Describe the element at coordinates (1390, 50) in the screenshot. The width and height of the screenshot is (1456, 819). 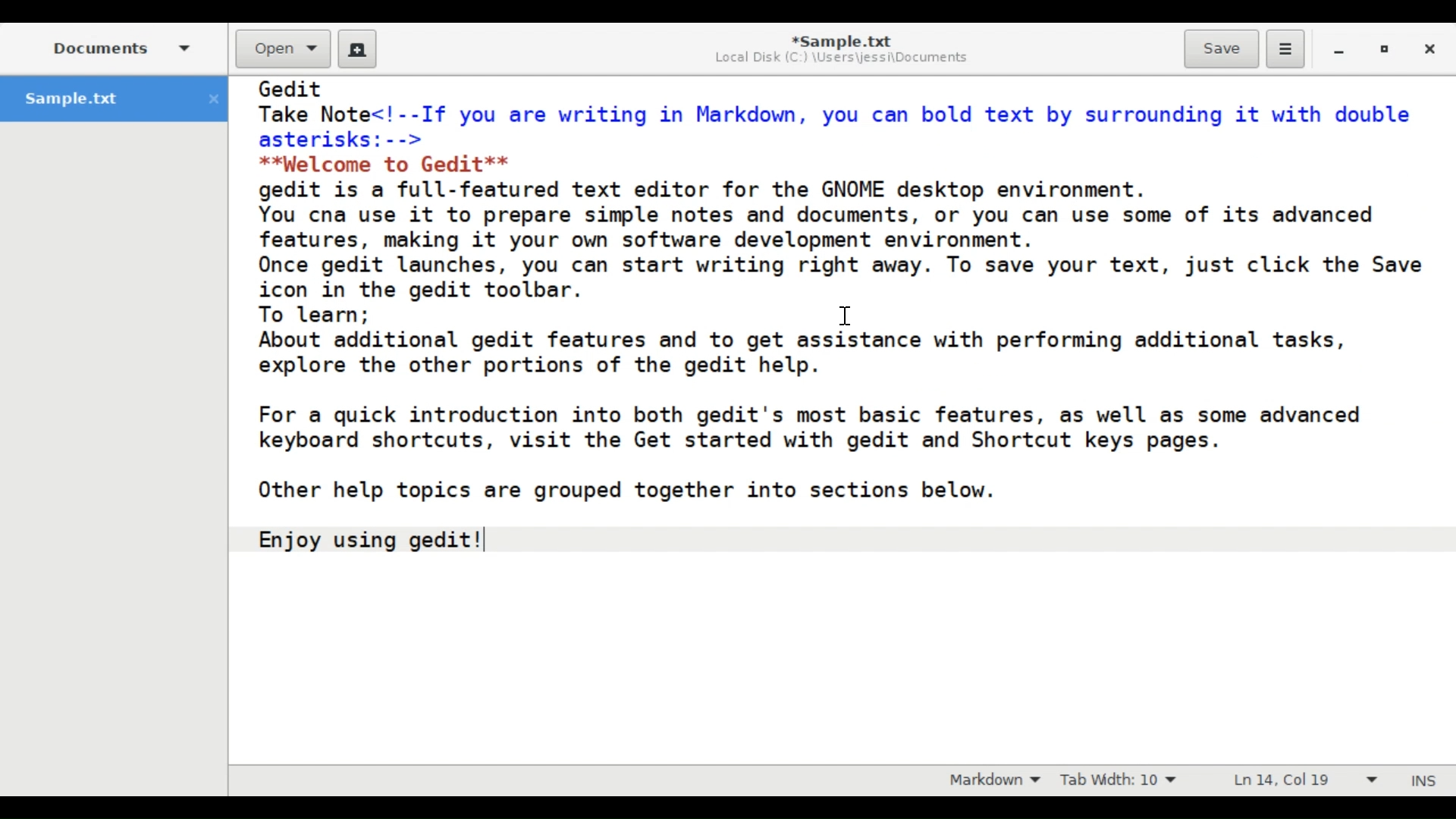
I see `Restore` at that location.